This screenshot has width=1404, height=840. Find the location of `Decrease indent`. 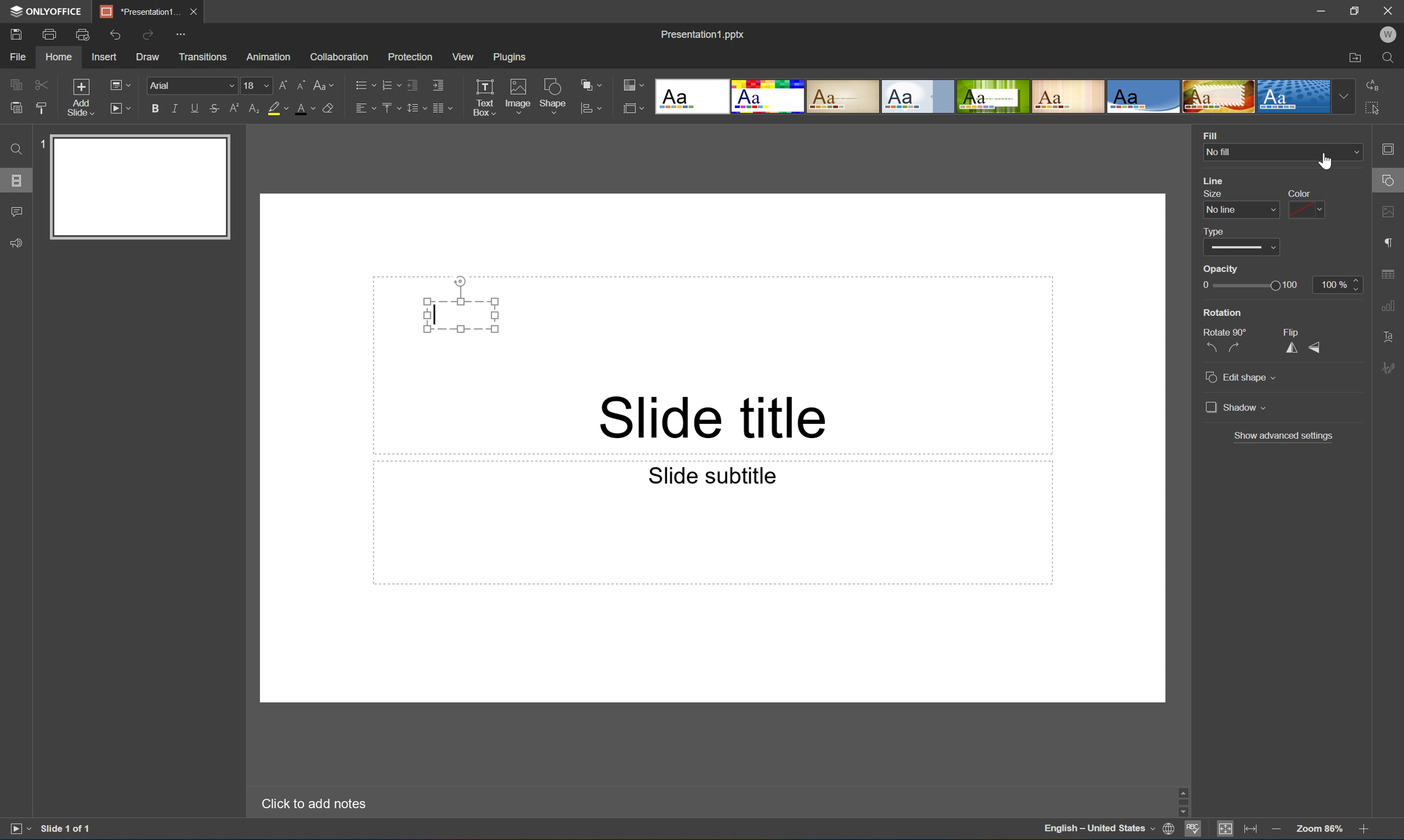

Decrease indent is located at coordinates (412, 84).